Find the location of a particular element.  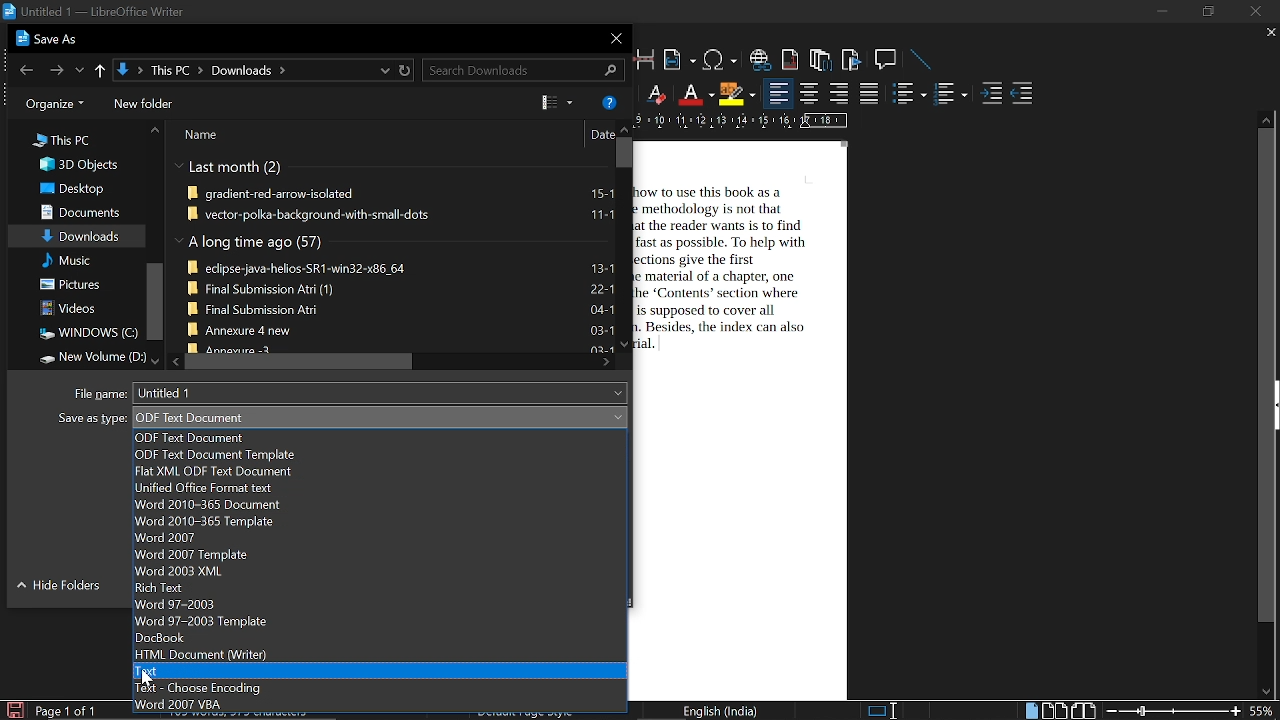

move up is located at coordinates (155, 131).